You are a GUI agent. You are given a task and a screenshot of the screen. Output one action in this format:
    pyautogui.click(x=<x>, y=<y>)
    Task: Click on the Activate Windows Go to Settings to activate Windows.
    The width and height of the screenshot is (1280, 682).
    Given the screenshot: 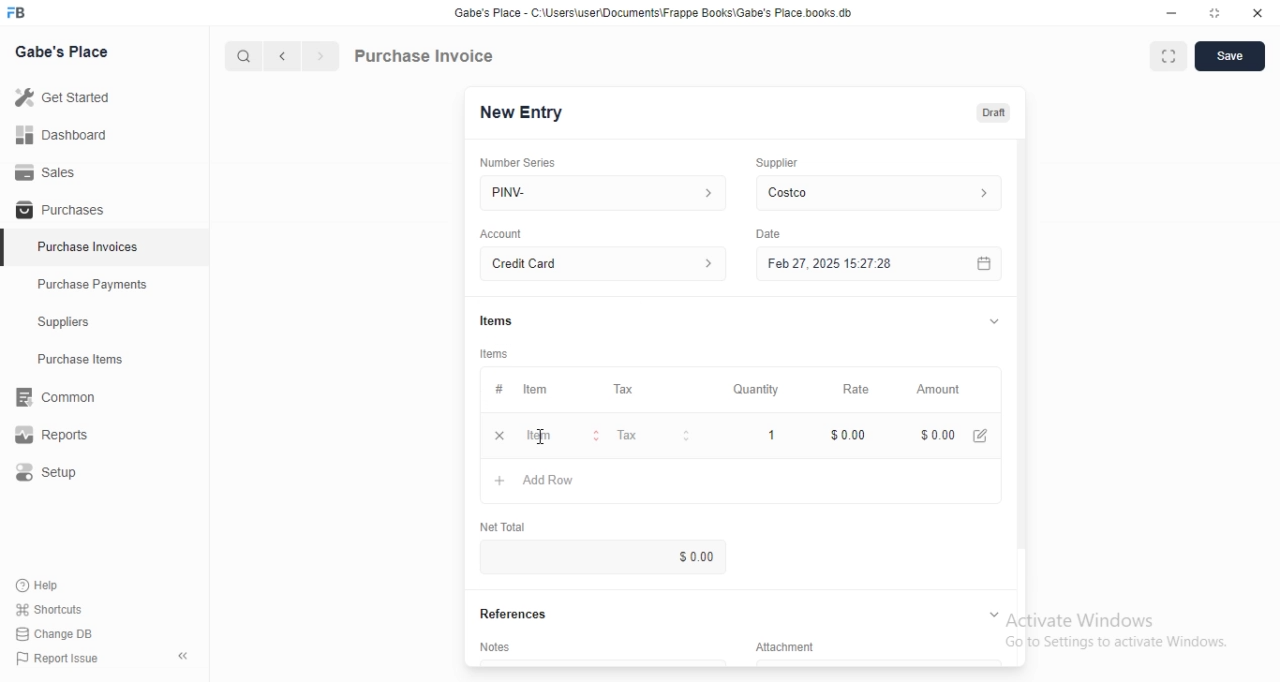 What is the action you would take?
    pyautogui.click(x=1117, y=630)
    